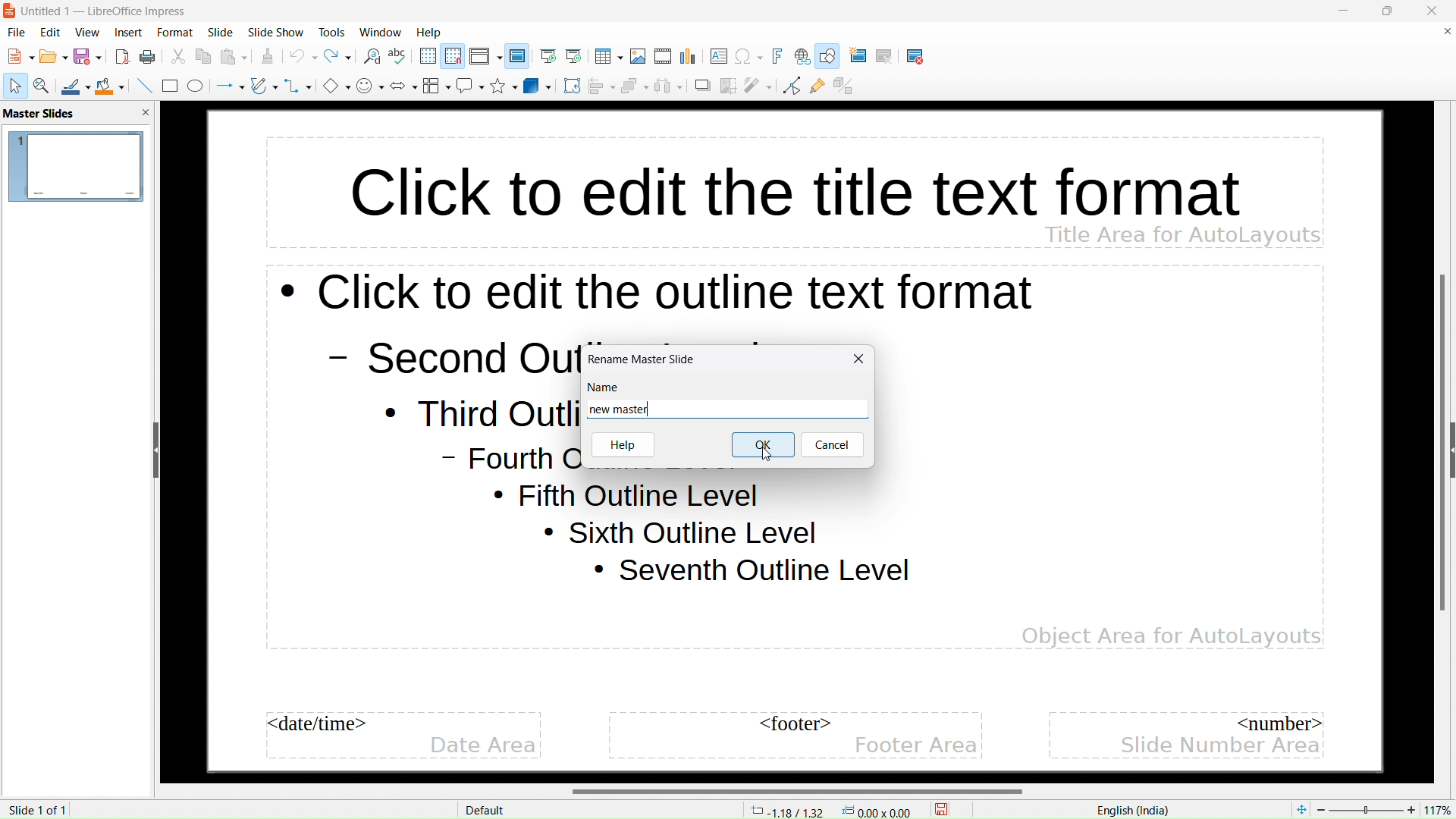  I want to click on callout shapes, so click(470, 86).